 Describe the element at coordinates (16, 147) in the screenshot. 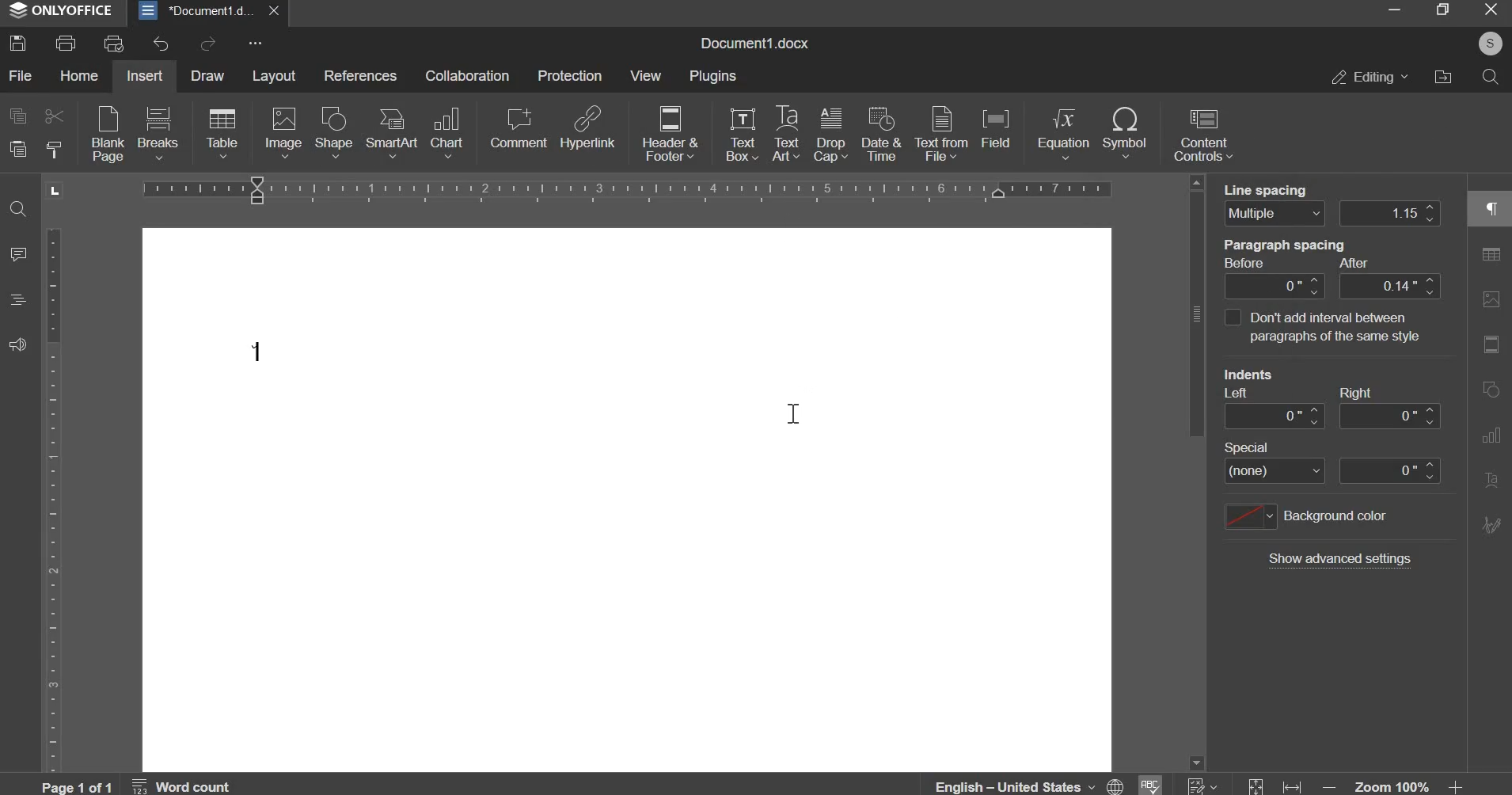

I see `paste` at that location.